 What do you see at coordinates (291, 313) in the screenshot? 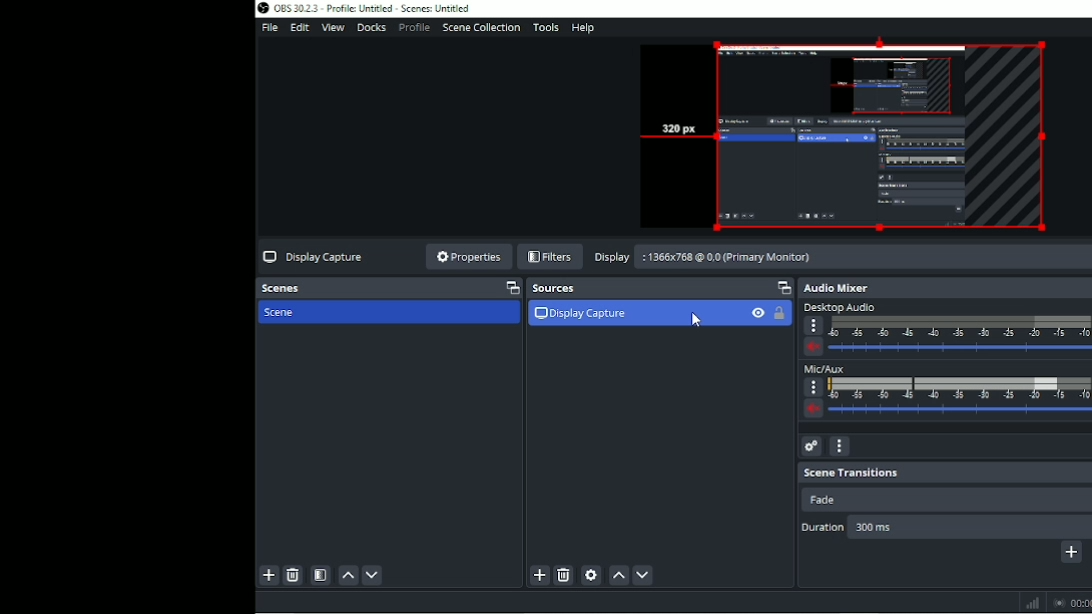
I see `Scene` at bounding box center [291, 313].